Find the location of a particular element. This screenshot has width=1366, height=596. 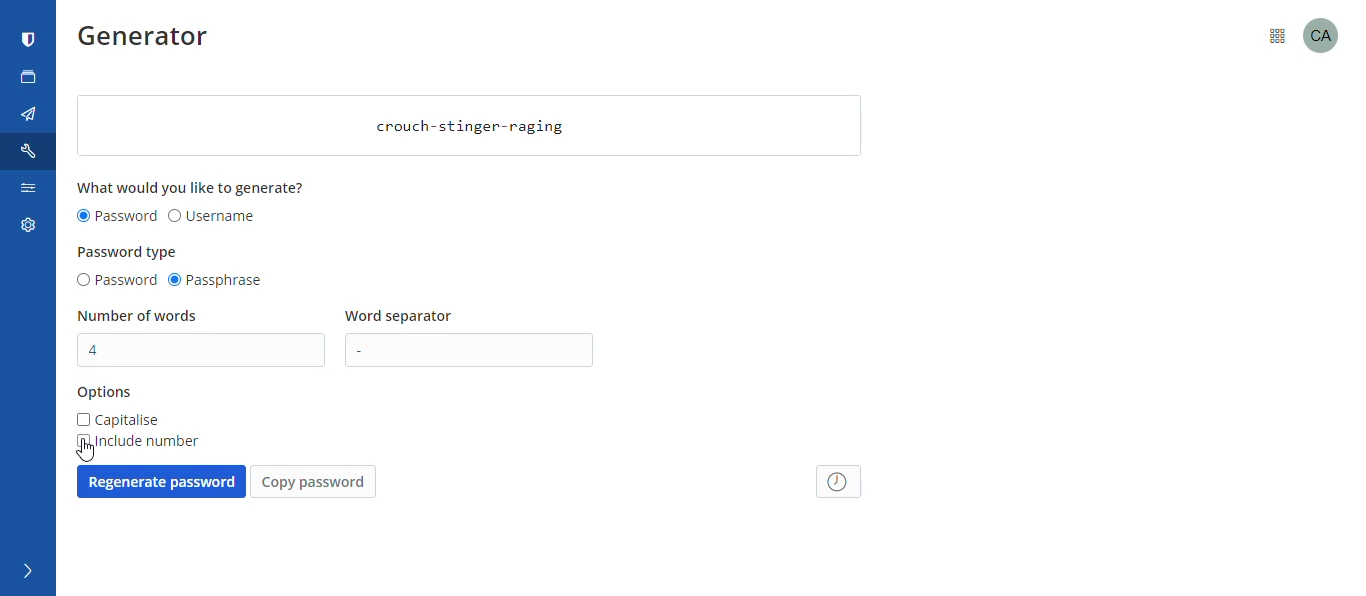

search settings is located at coordinates (27, 192).